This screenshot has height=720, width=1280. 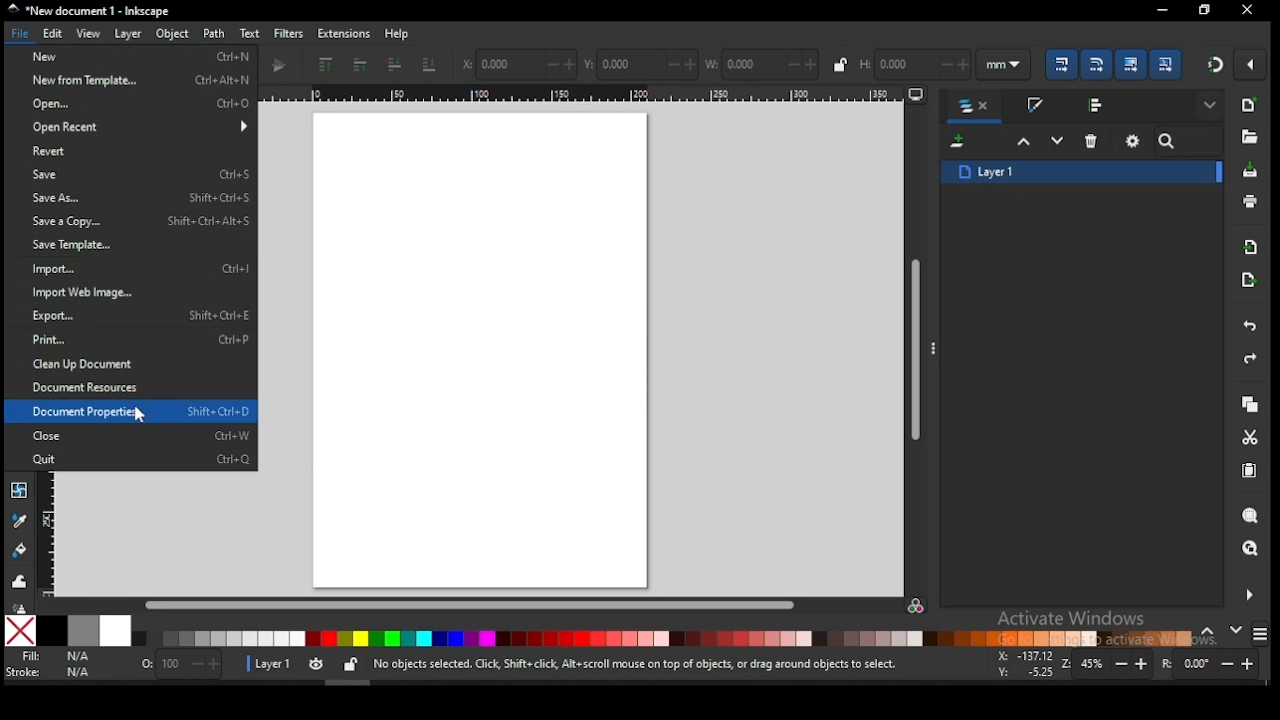 What do you see at coordinates (1058, 64) in the screenshot?
I see `when scaling objects, scale the stroke width in same proportion` at bounding box center [1058, 64].